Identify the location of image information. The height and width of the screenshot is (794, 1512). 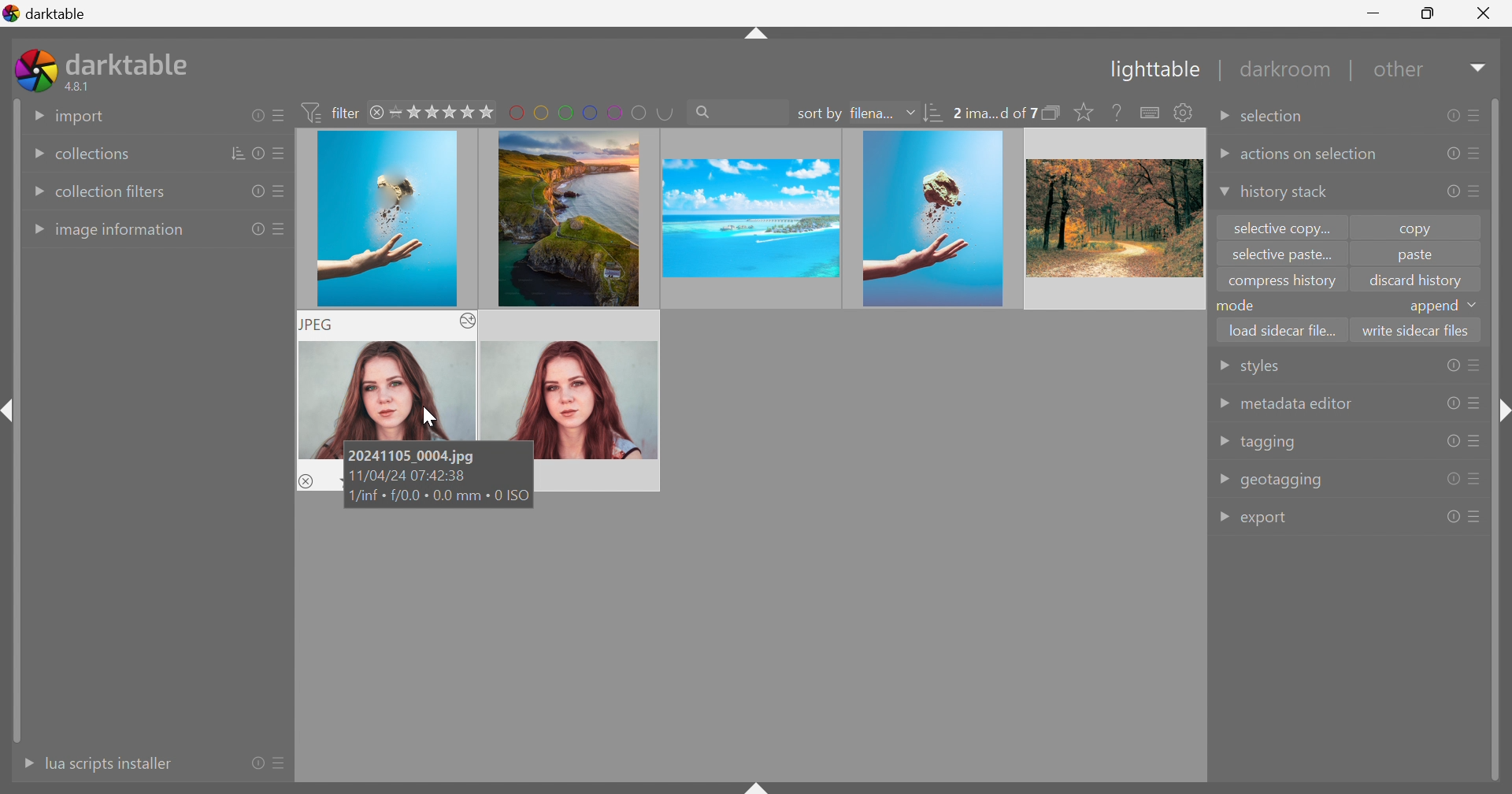
(121, 232).